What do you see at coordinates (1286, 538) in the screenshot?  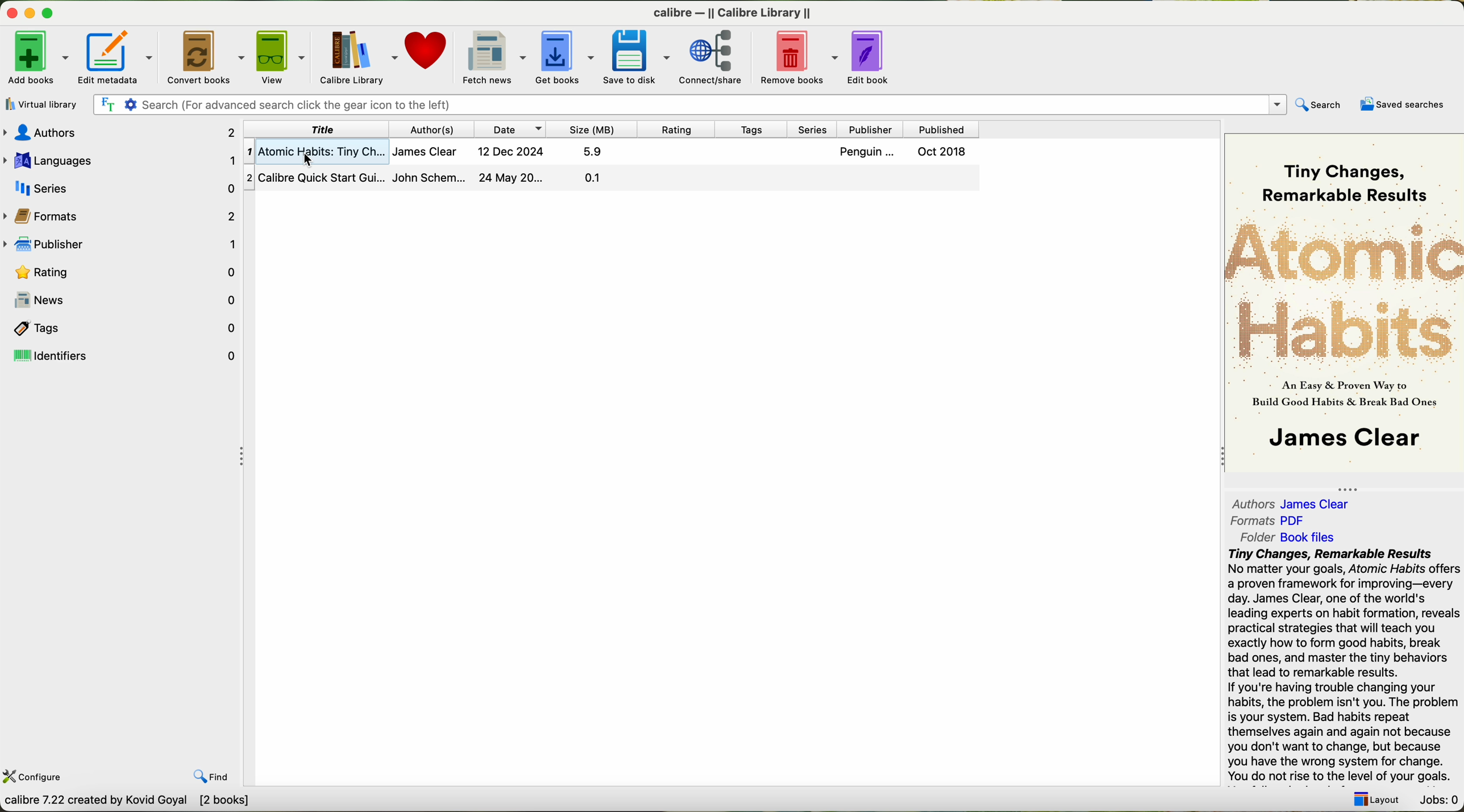 I see `folder` at bounding box center [1286, 538].